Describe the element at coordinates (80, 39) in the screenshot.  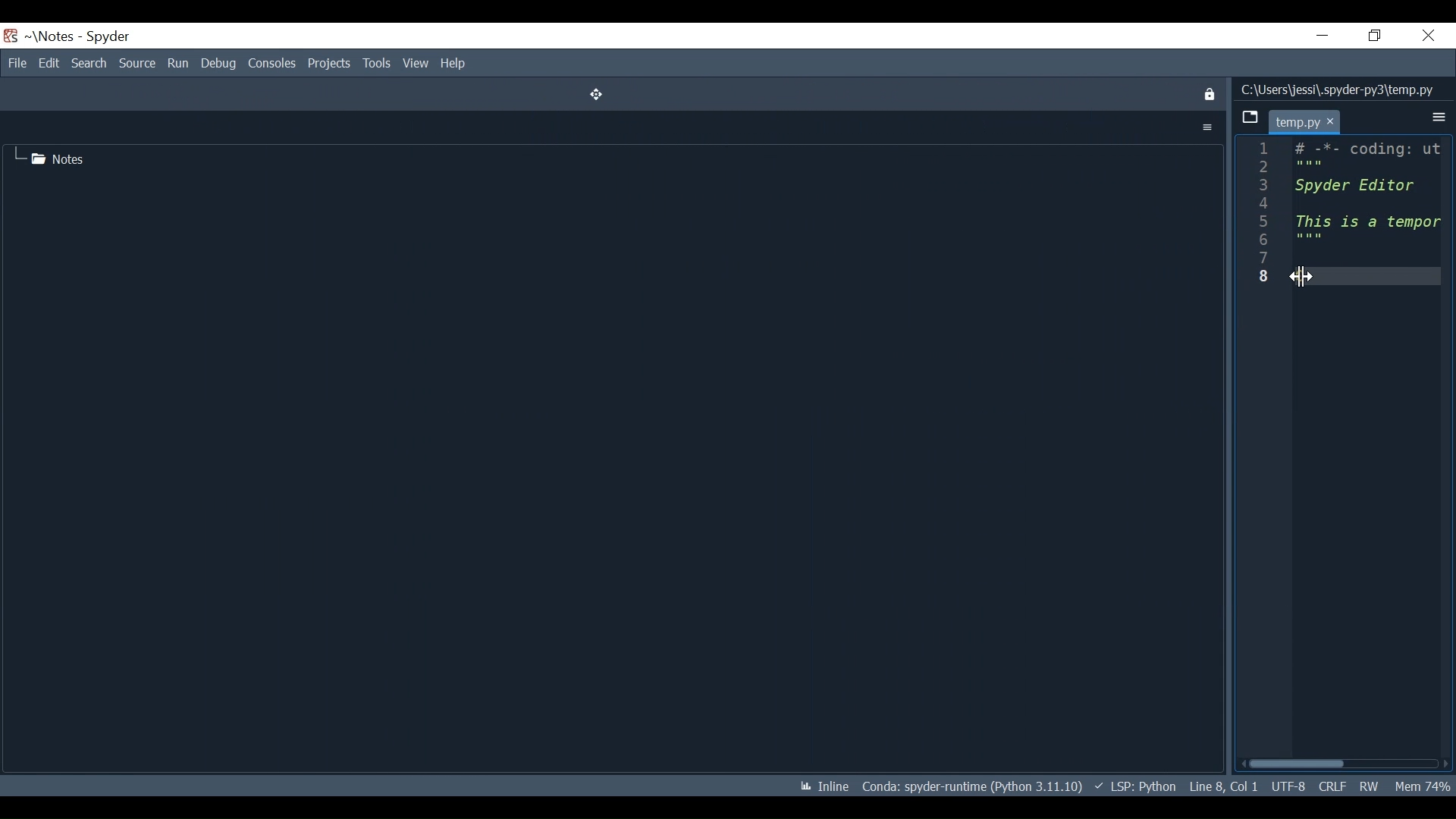
I see `~\Notes - Spyder` at that location.